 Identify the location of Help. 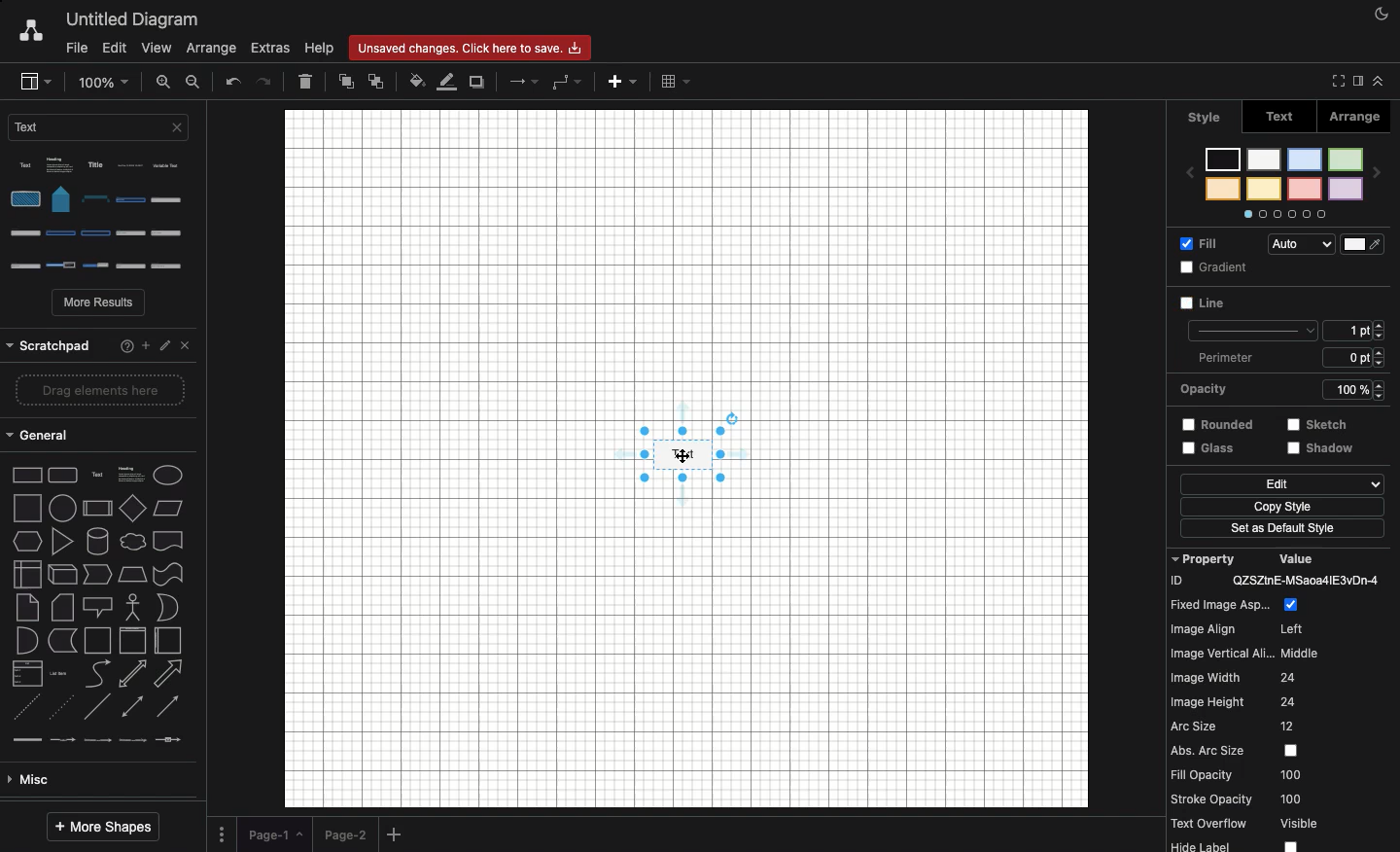
(319, 49).